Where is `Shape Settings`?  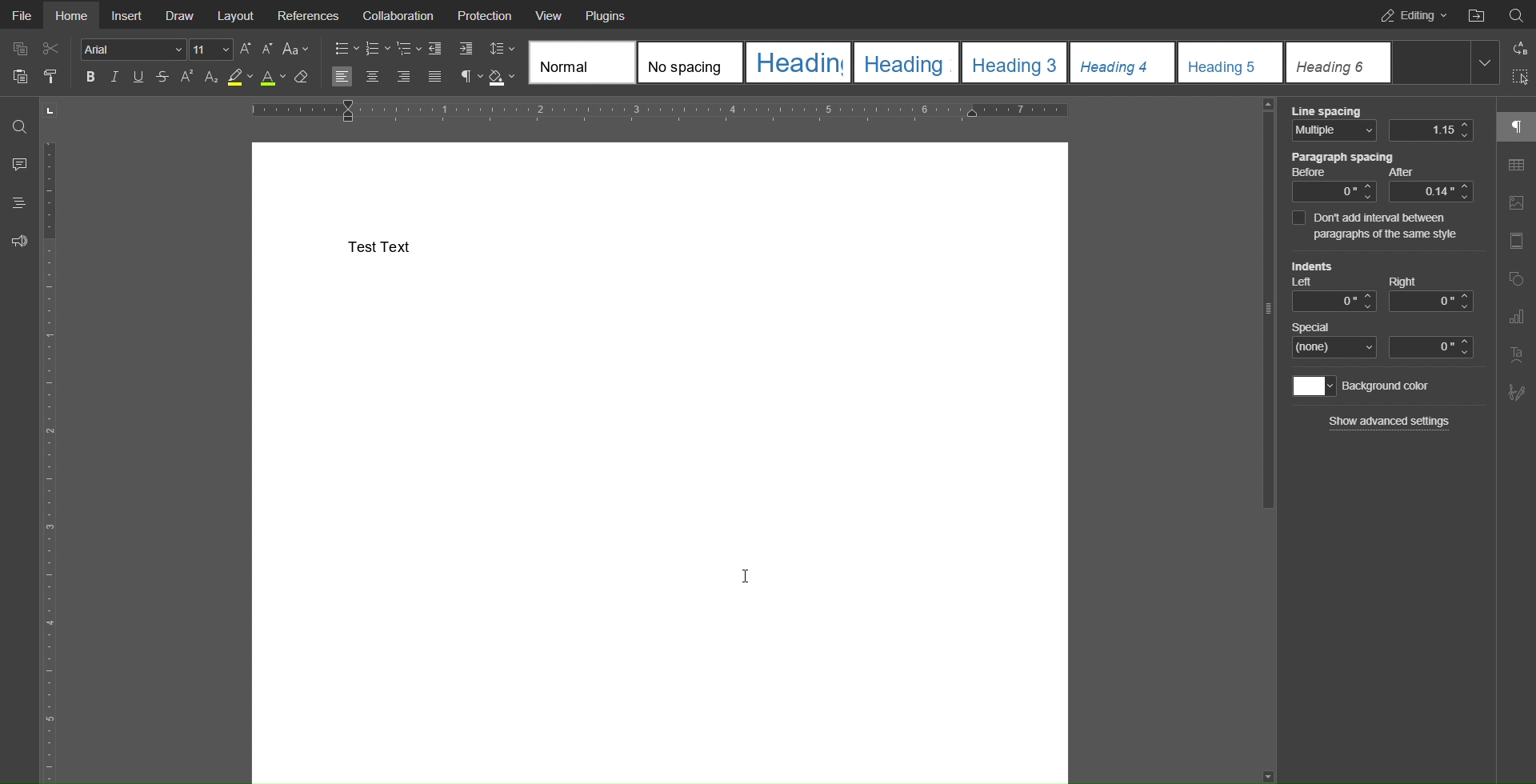
Shape Settings is located at coordinates (1516, 282).